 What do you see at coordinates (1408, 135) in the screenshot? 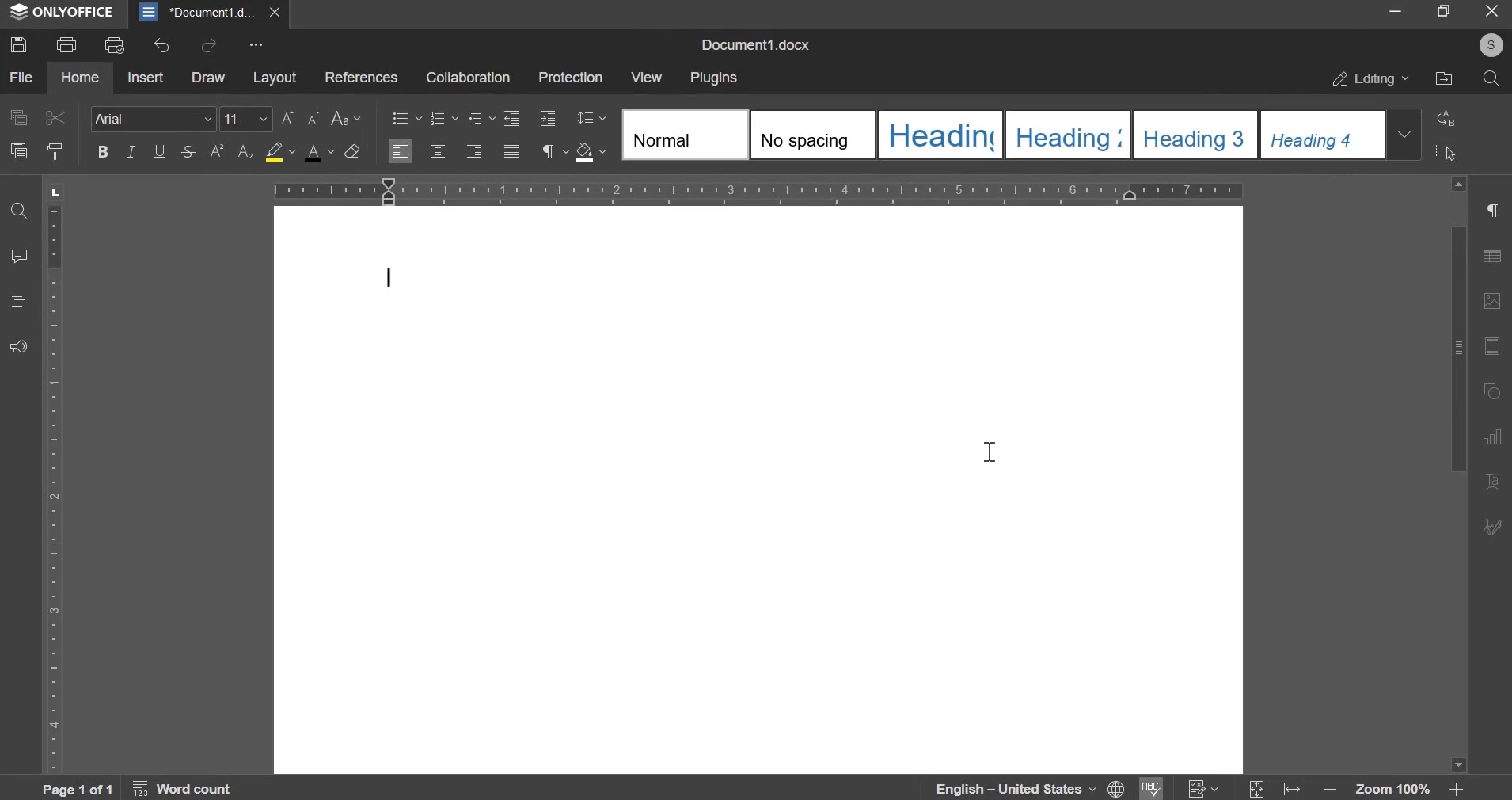
I see `more headings` at bounding box center [1408, 135].